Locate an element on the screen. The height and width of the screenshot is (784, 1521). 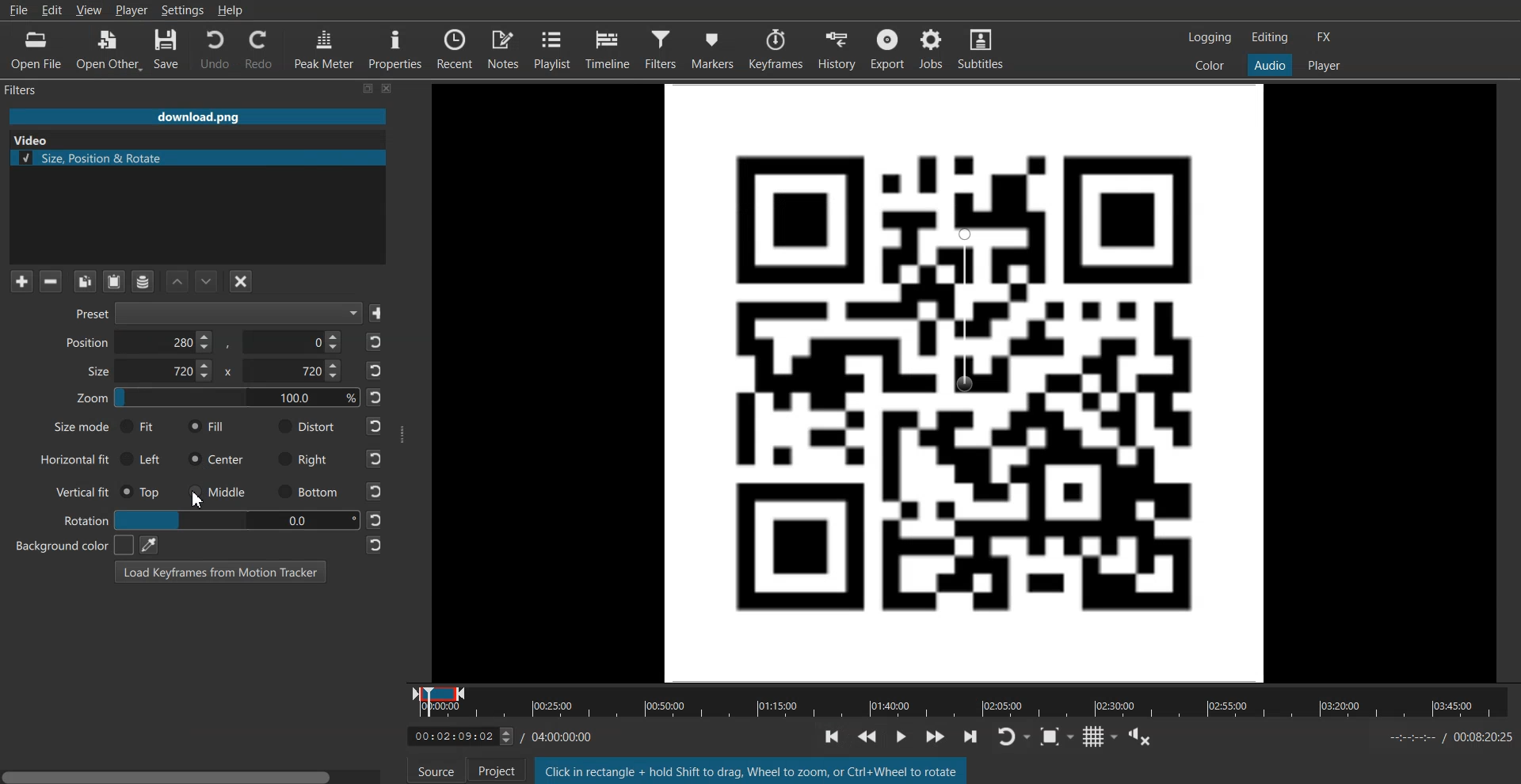
Timeline is located at coordinates (452, 737).